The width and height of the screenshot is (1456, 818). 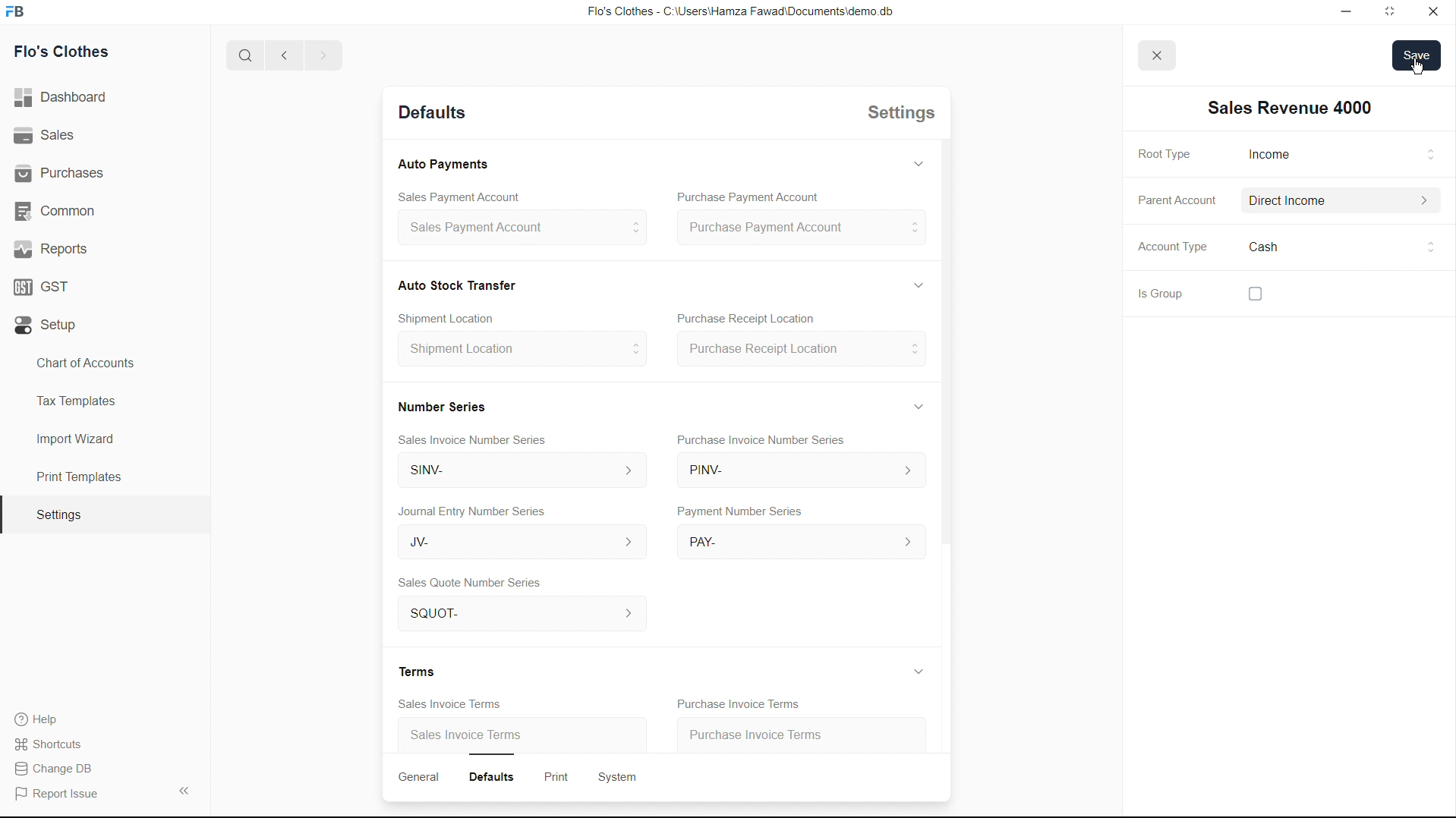 I want to click on Print Templates, so click(x=77, y=477).